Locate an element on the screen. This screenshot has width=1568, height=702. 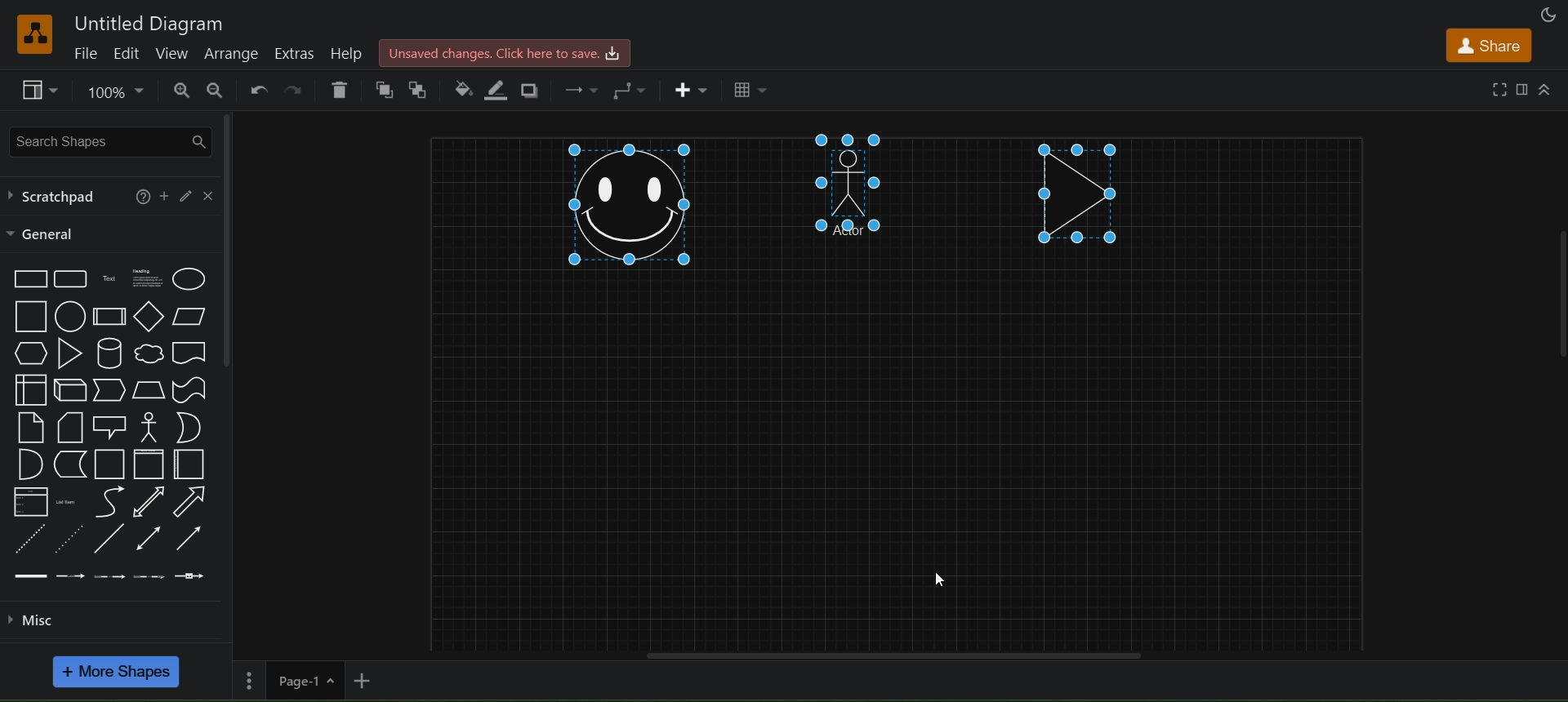
delete is located at coordinates (340, 89).